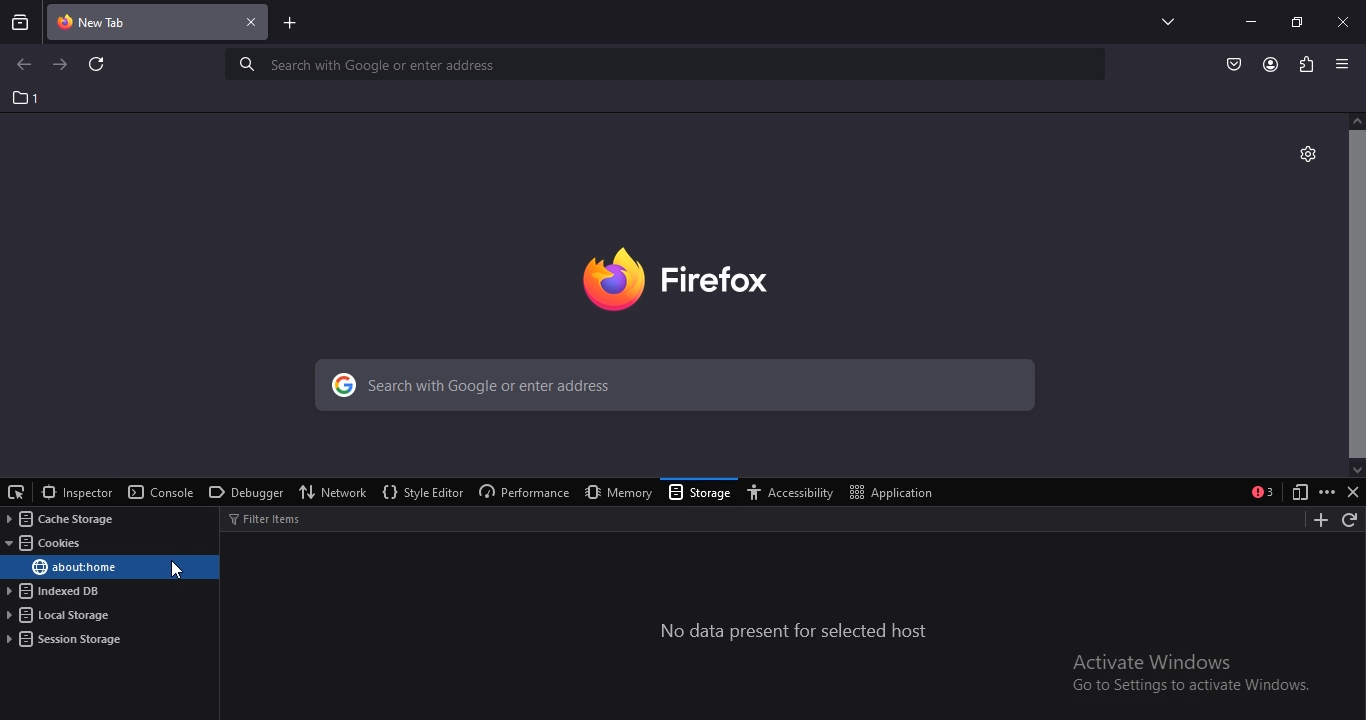  Describe the element at coordinates (614, 492) in the screenshot. I see `memory` at that location.